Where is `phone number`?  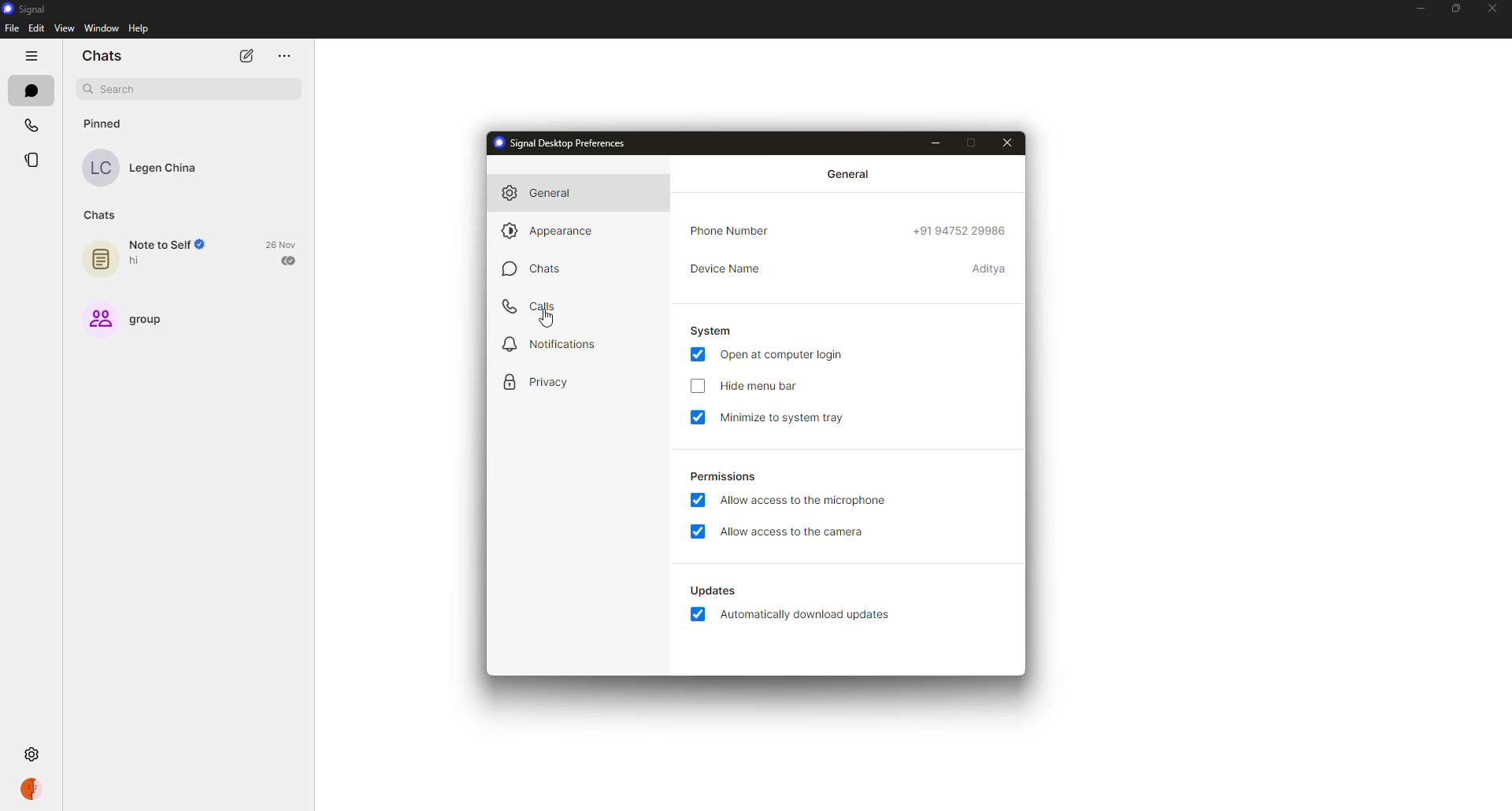 phone number is located at coordinates (961, 231).